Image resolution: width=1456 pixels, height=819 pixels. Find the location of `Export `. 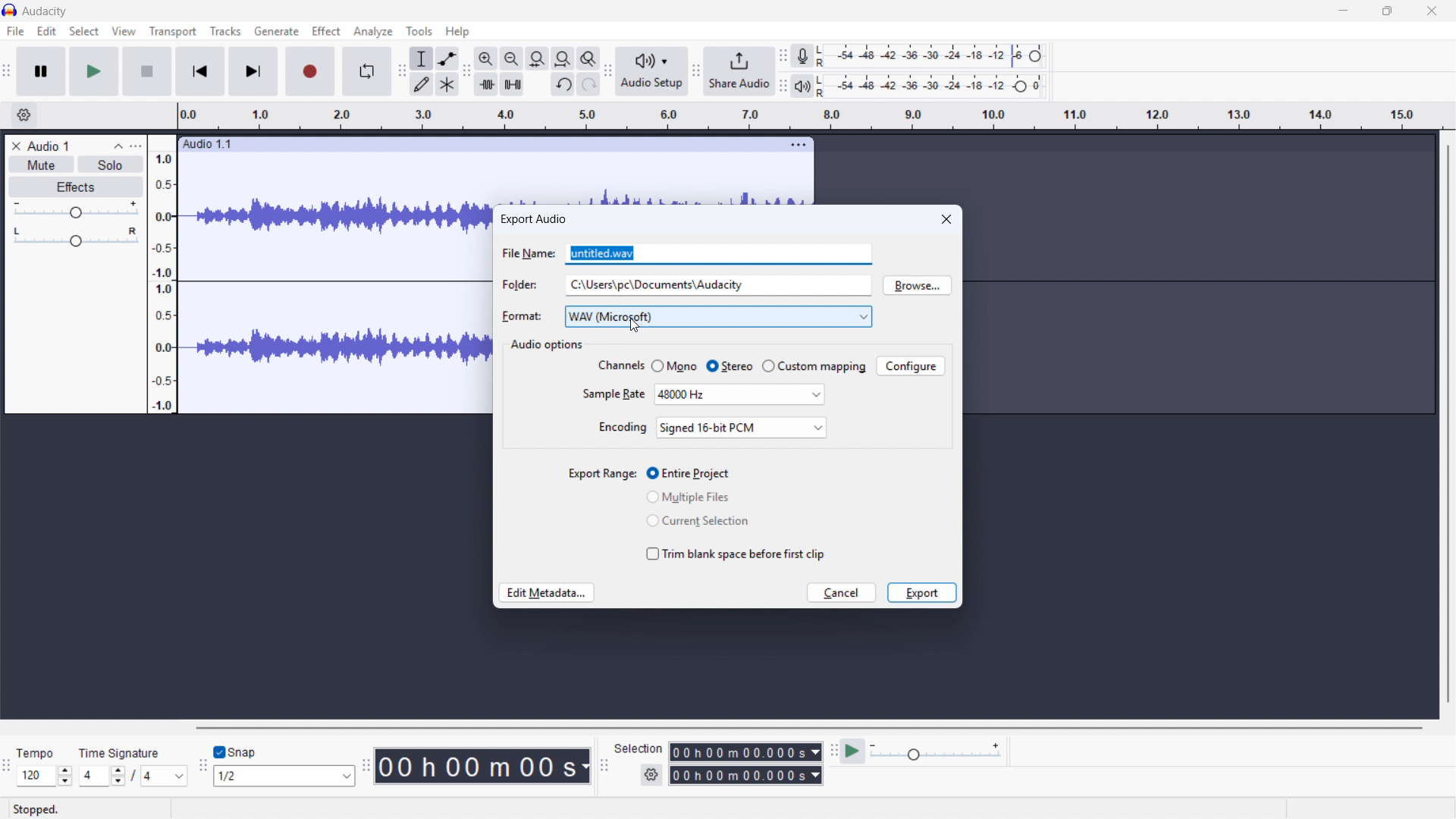

Export  is located at coordinates (921, 592).